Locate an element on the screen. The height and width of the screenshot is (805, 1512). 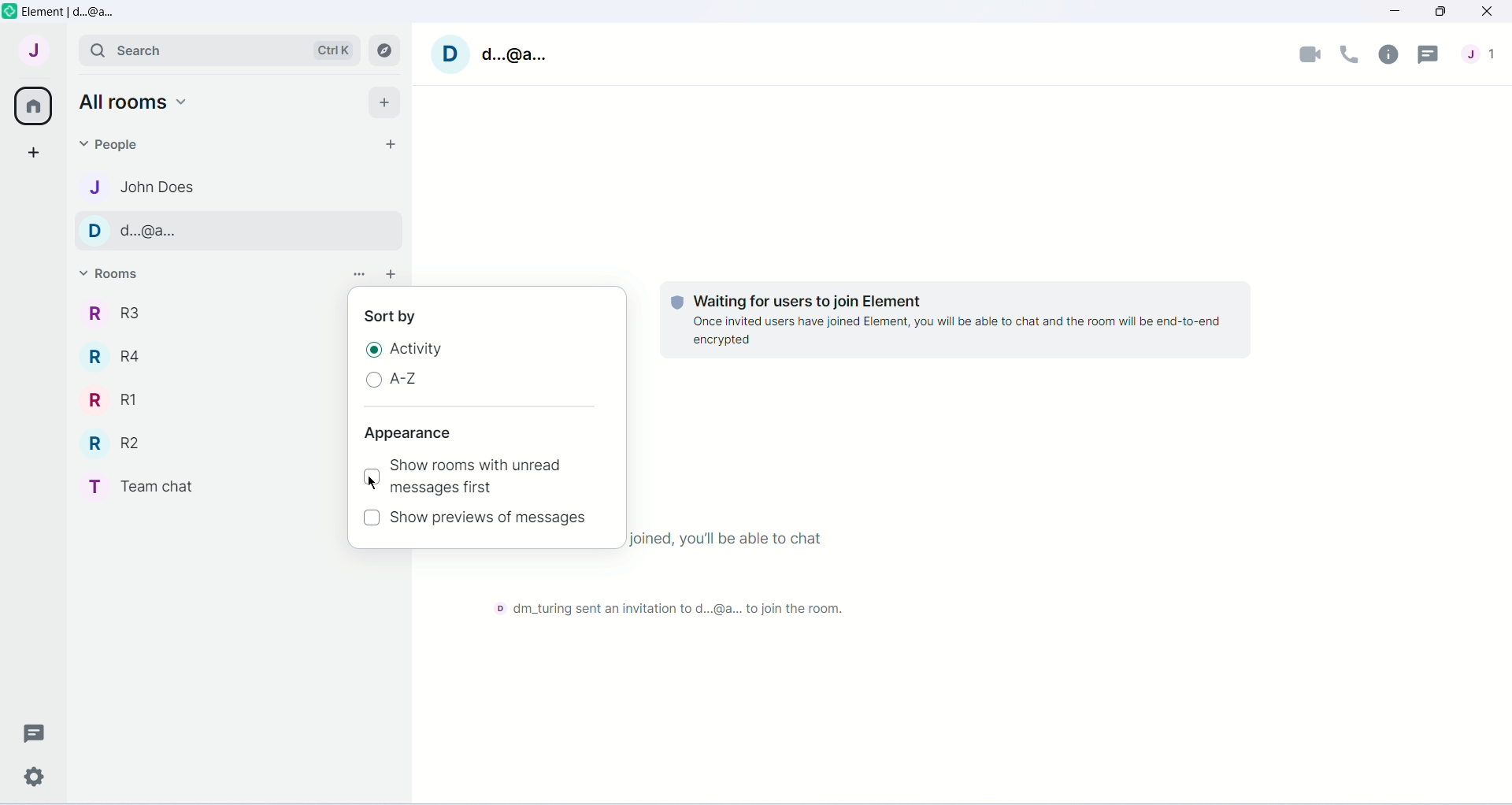
Voice Call is located at coordinates (1350, 54).